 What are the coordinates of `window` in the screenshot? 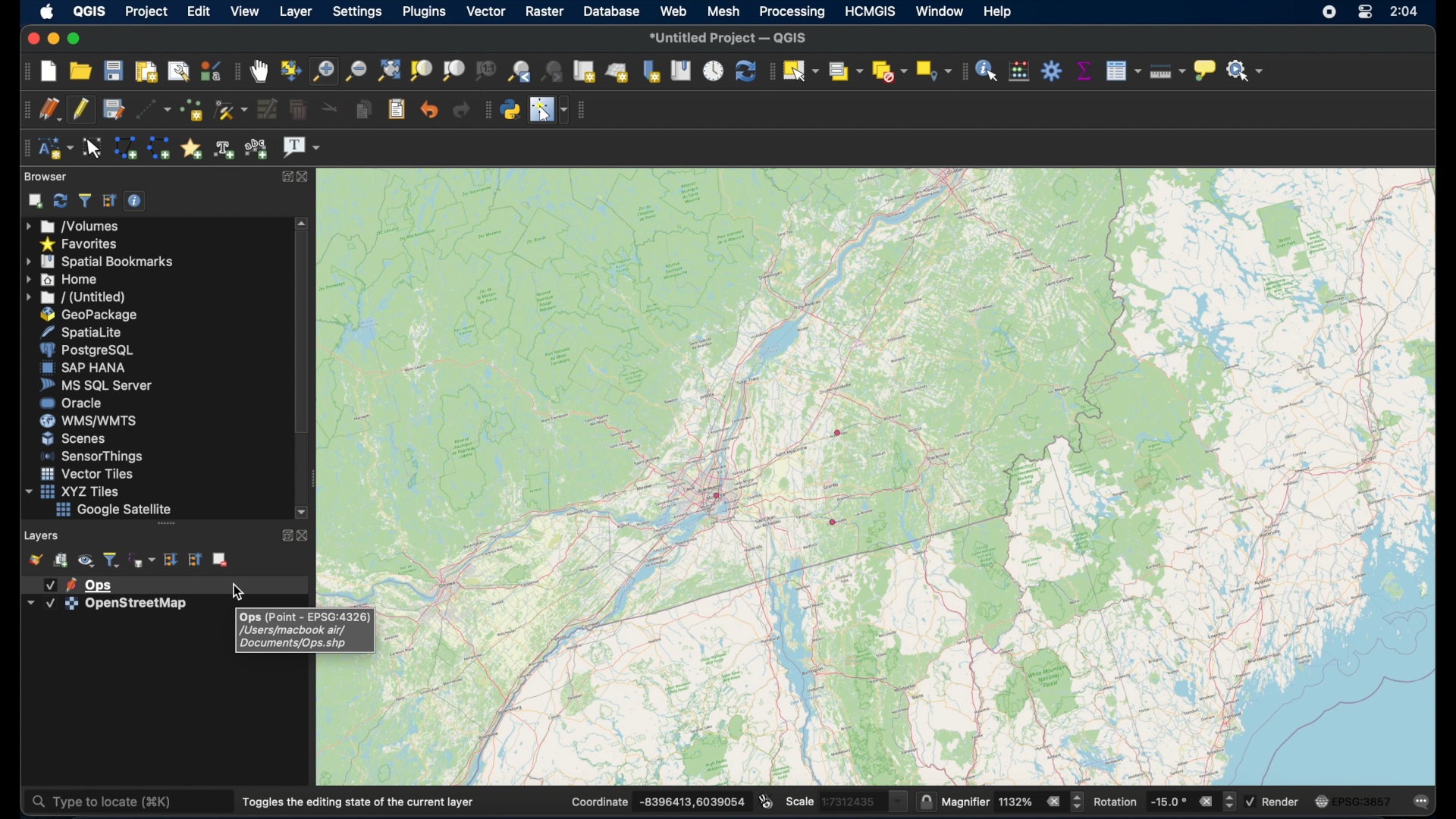 It's located at (940, 11).